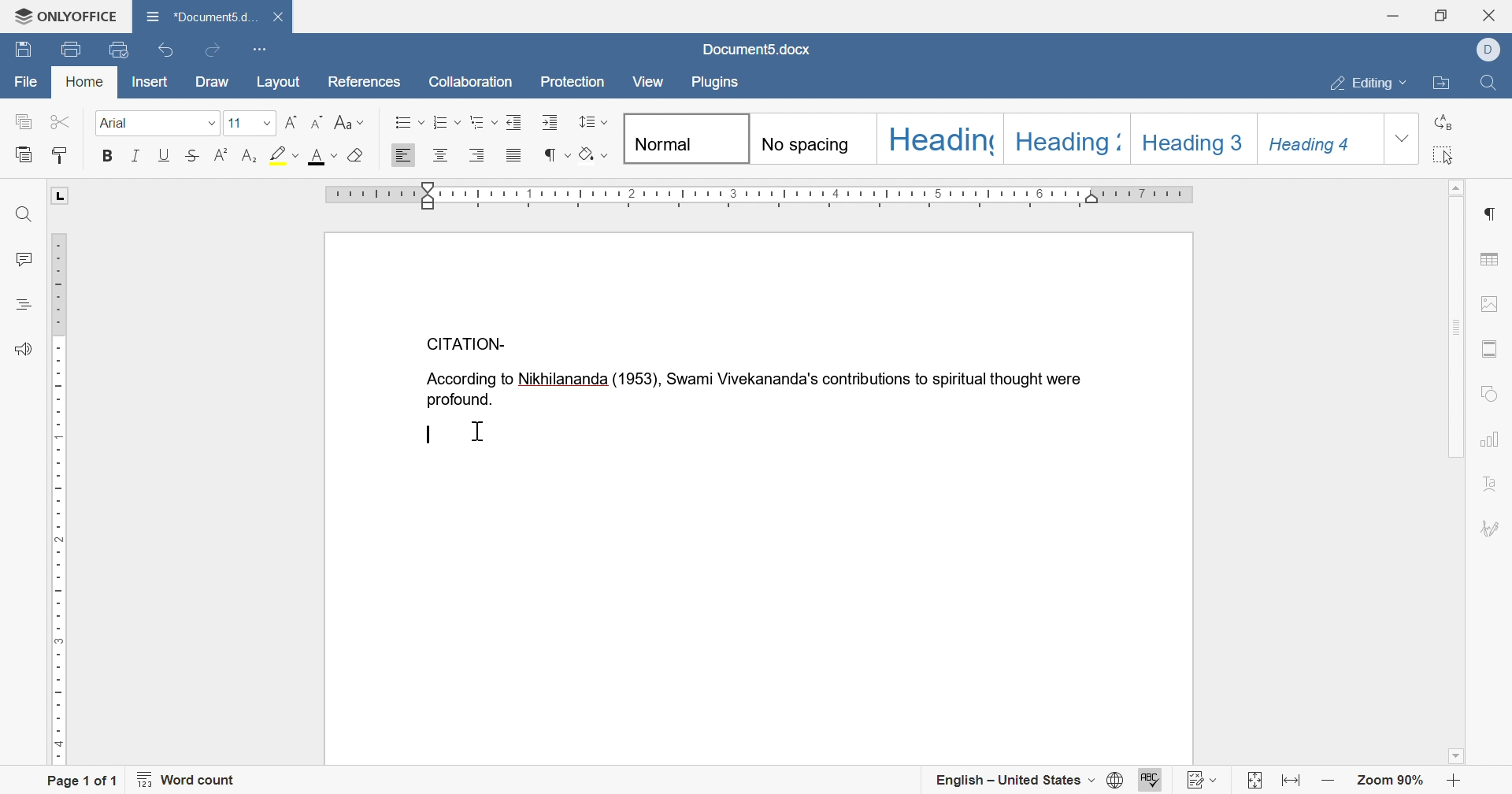 This screenshot has height=794, width=1512. Describe the element at coordinates (749, 48) in the screenshot. I see `document5.docx` at that location.